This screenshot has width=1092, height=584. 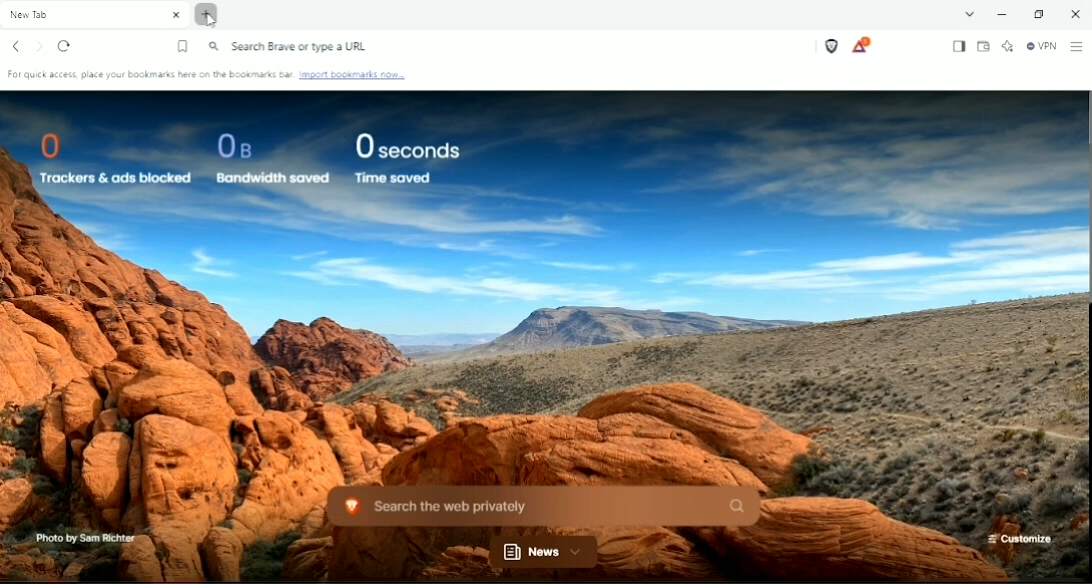 I want to click on 0 seconds Time saved, so click(x=406, y=159).